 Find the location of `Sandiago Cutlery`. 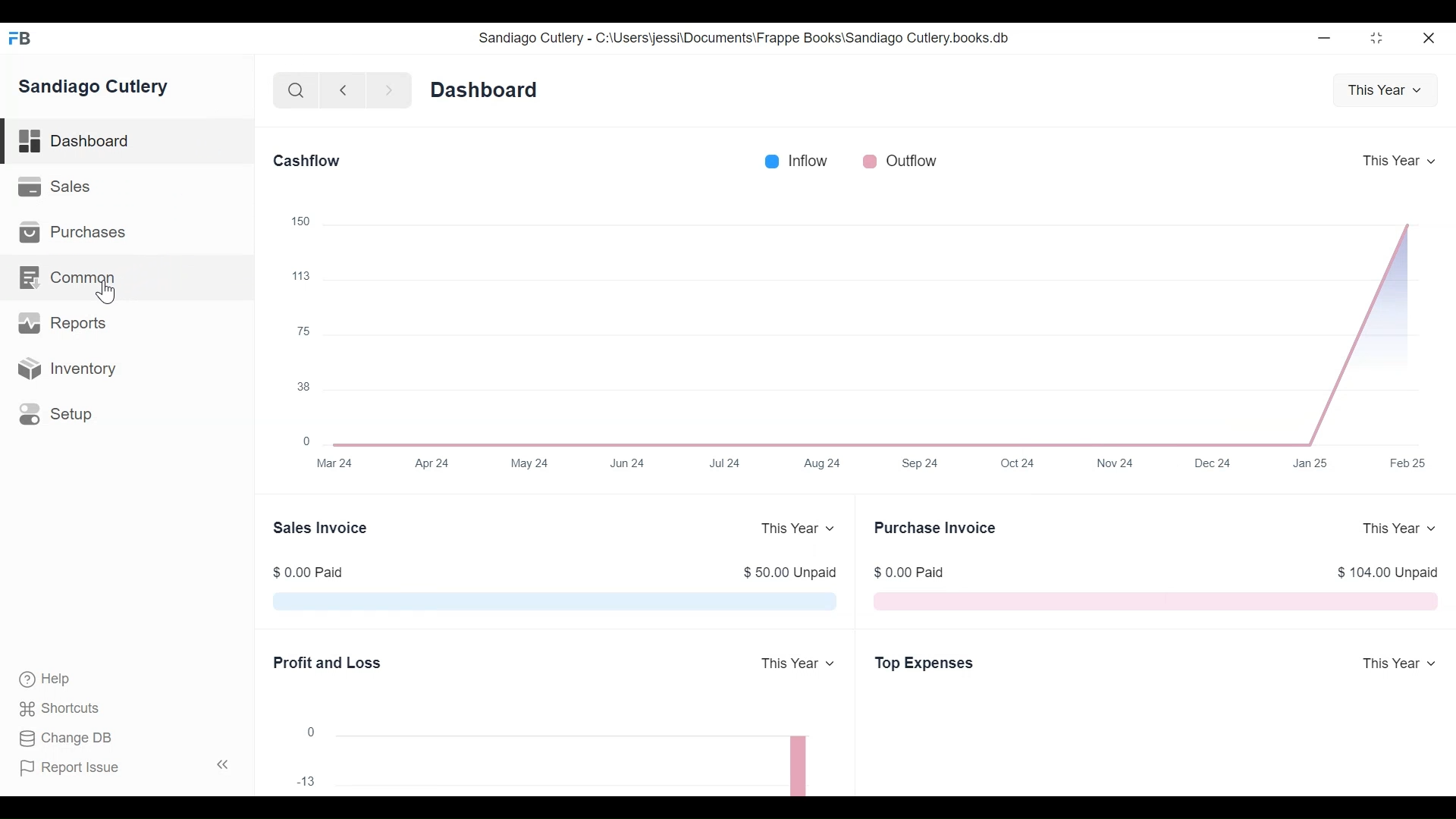

Sandiago Cutlery is located at coordinates (94, 87).